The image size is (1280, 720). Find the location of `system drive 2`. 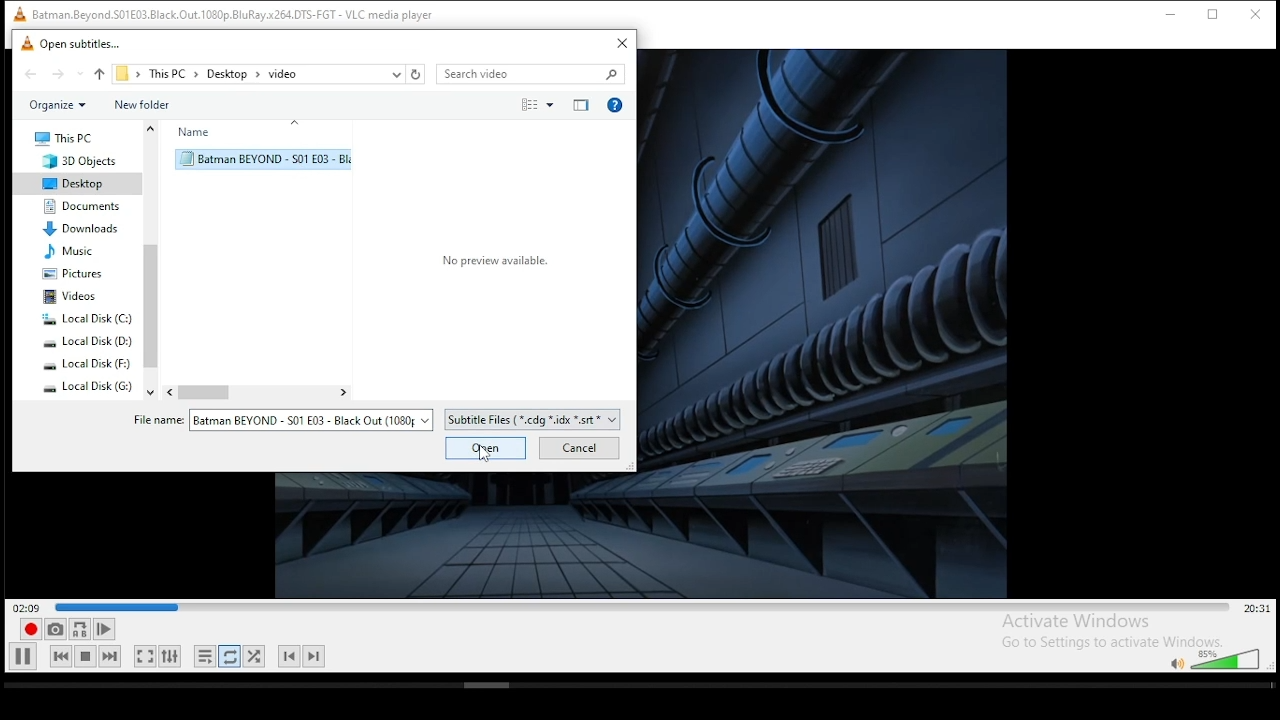

system drive 2 is located at coordinates (89, 343).